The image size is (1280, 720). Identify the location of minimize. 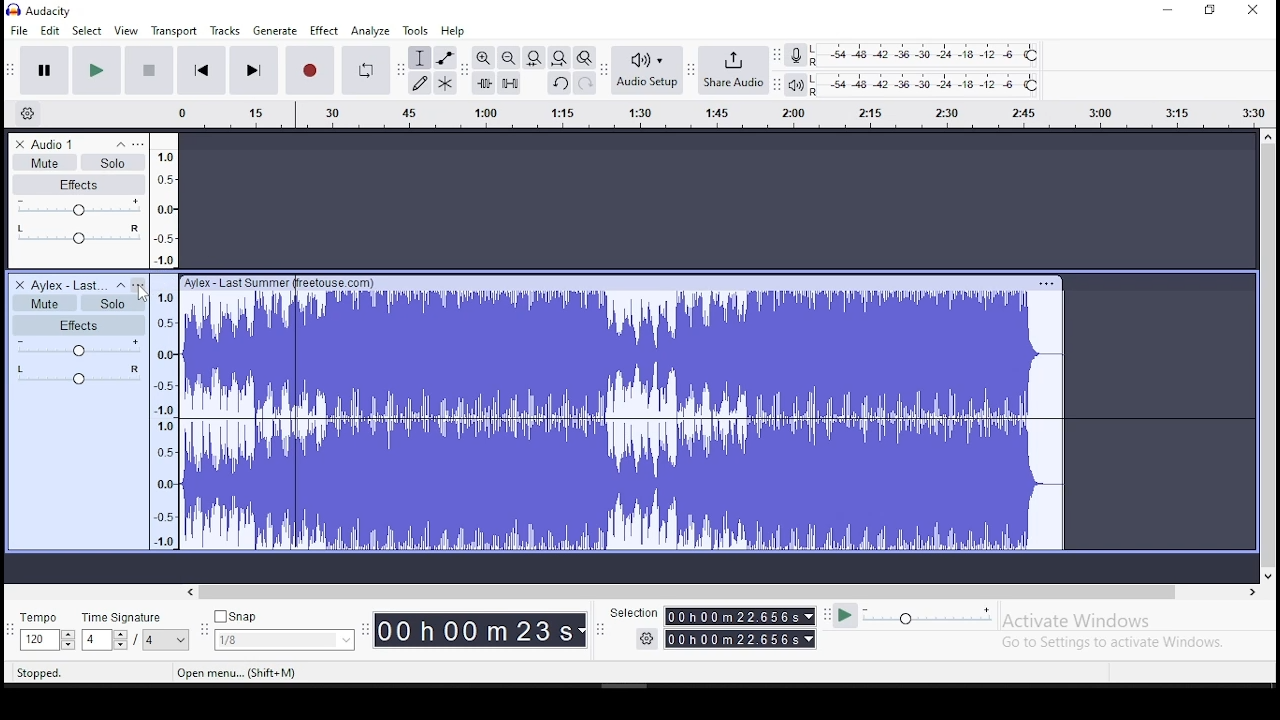
(1166, 11).